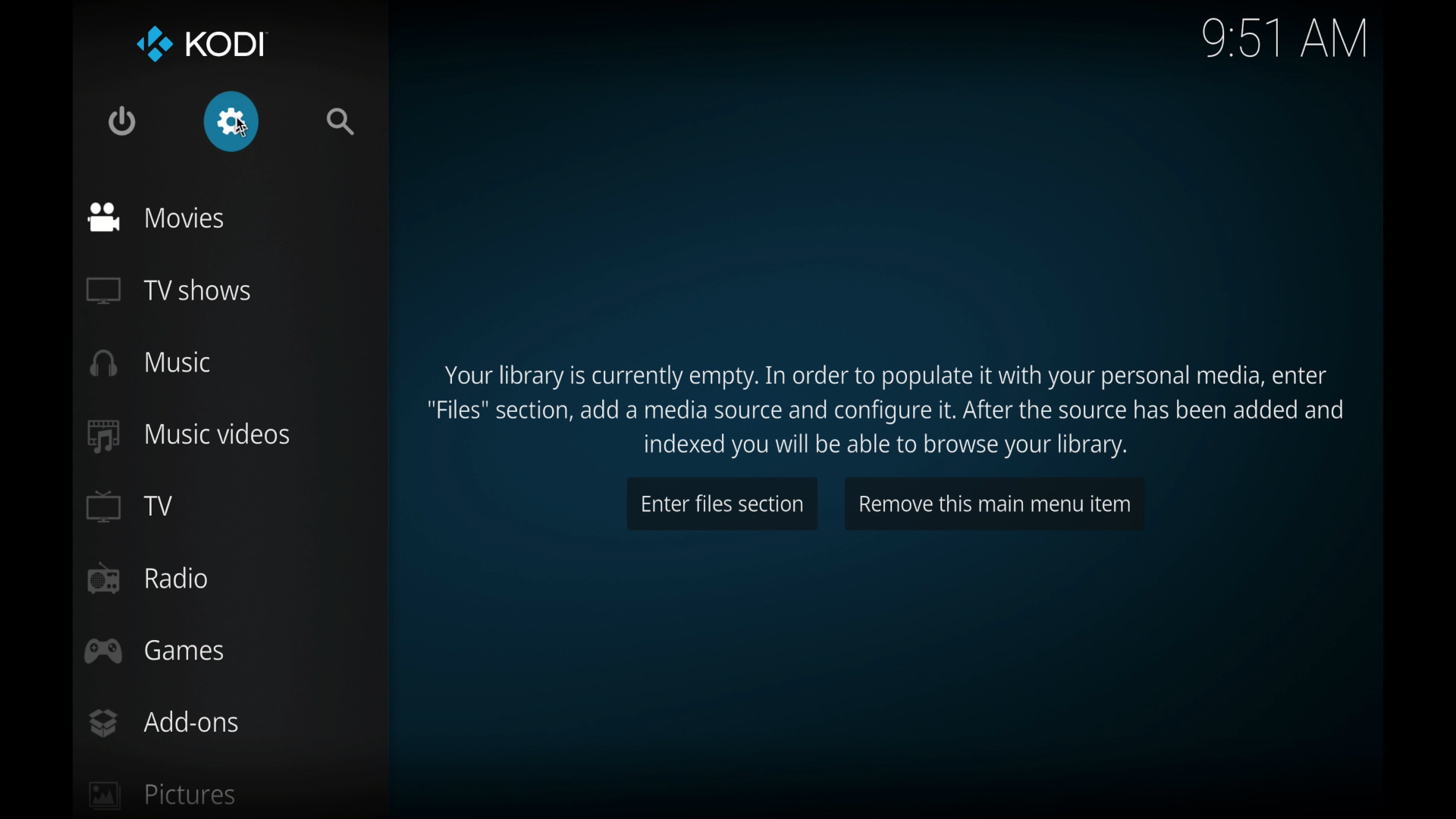 Image resolution: width=1456 pixels, height=819 pixels. What do you see at coordinates (891, 412) in the screenshot?
I see `info` at bounding box center [891, 412].